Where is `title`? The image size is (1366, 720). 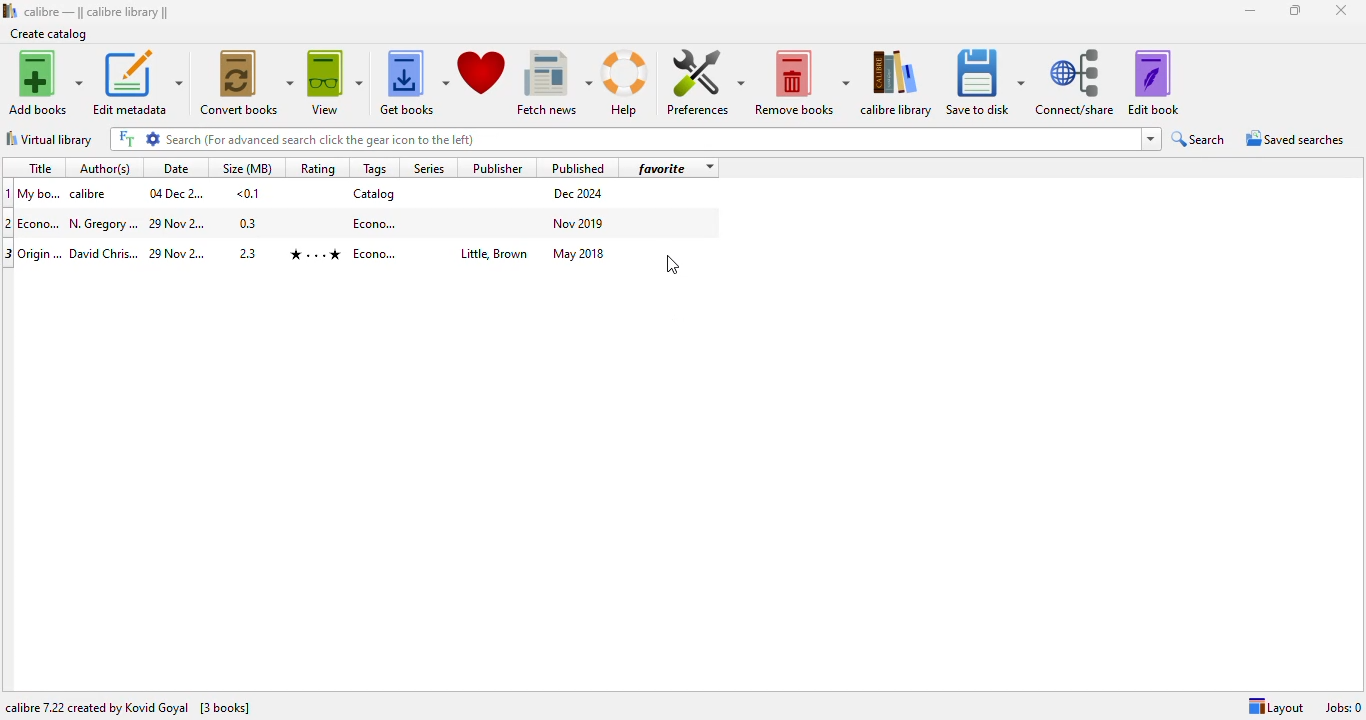
title is located at coordinates (41, 223).